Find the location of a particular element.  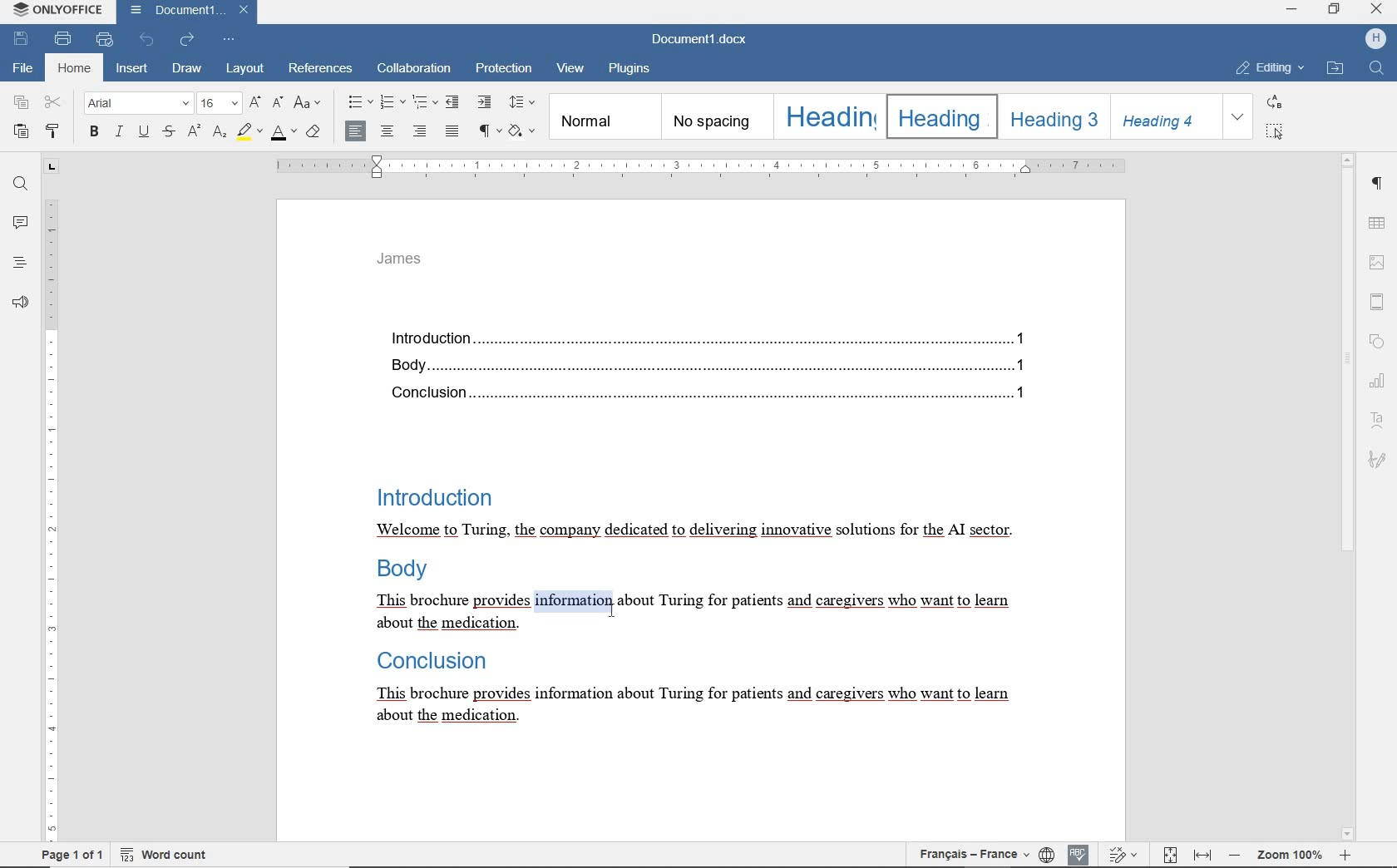

EXPAND is located at coordinates (1238, 117).